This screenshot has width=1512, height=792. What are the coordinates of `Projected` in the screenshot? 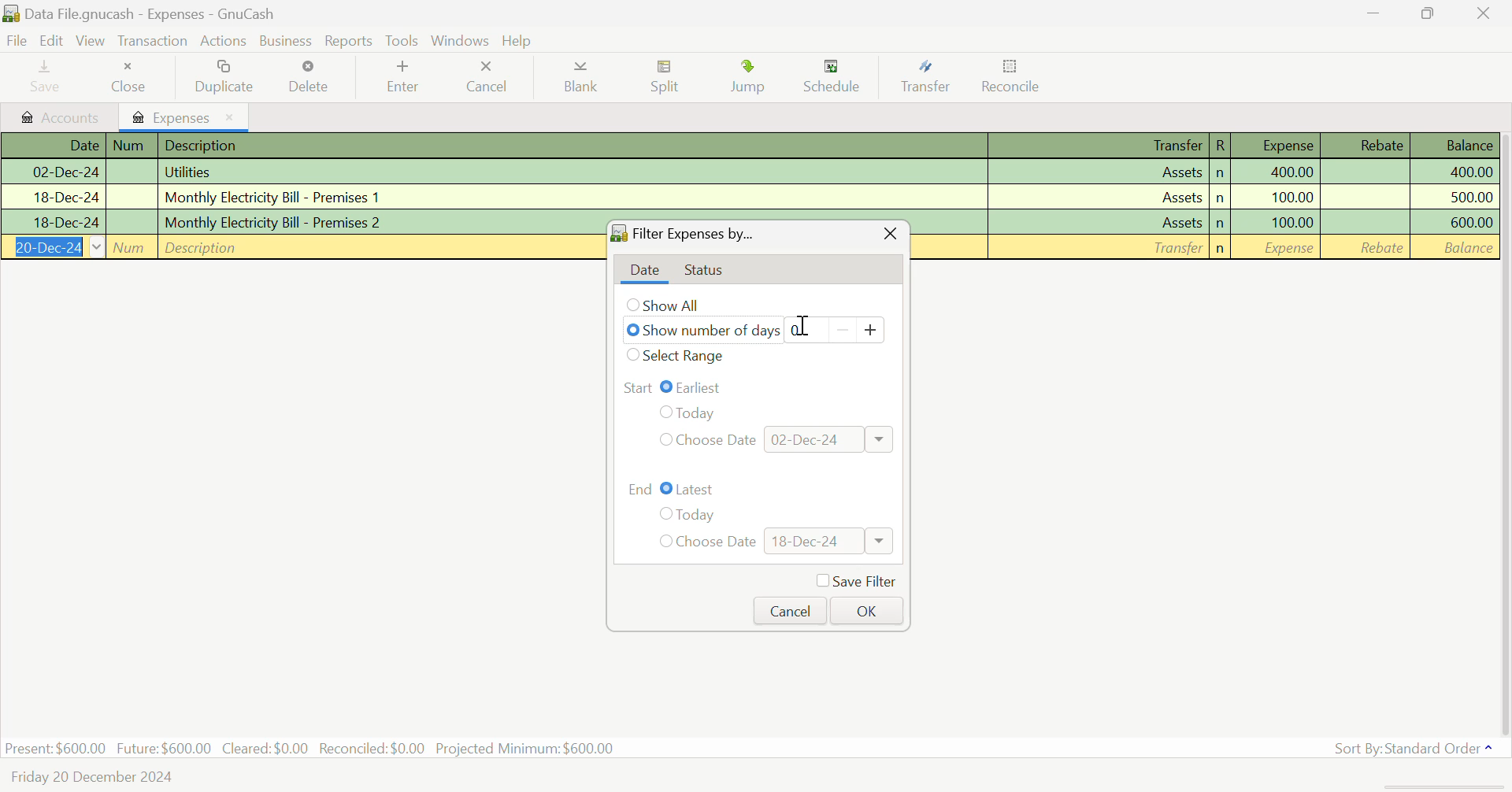 It's located at (524, 748).